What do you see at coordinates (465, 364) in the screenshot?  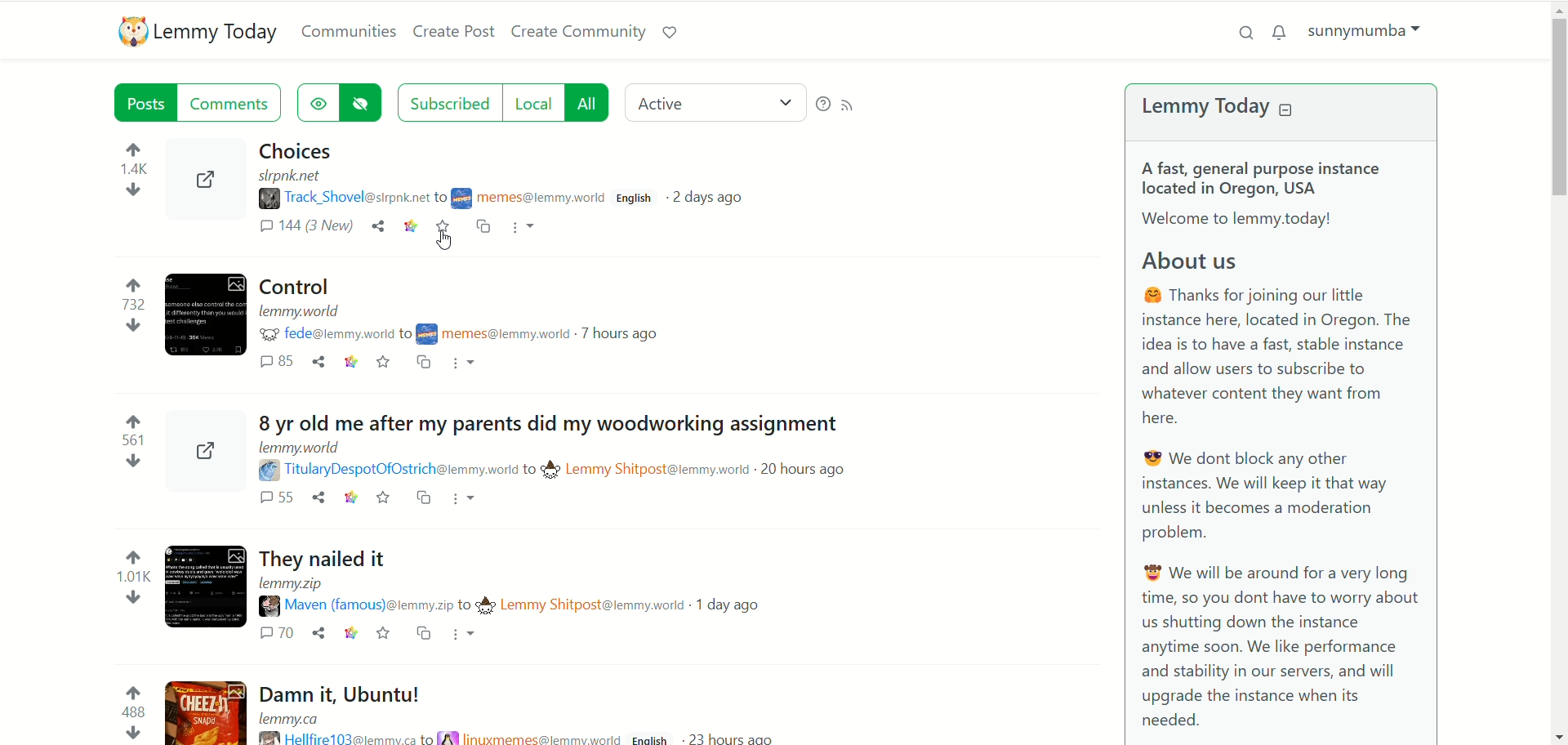 I see `More` at bounding box center [465, 364].